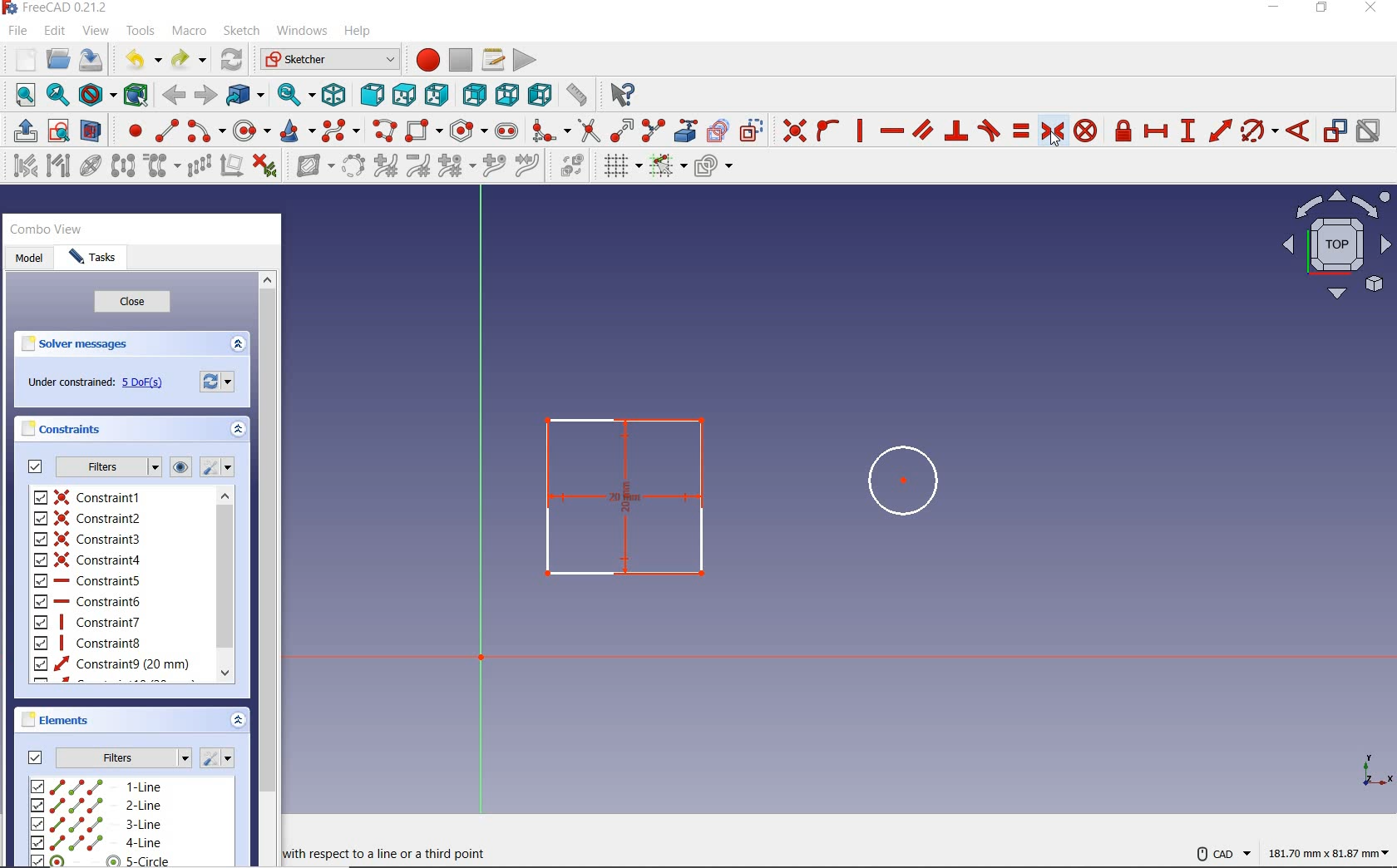 The width and height of the screenshot is (1397, 868). Describe the element at coordinates (97, 784) in the screenshot. I see `1-line` at that location.